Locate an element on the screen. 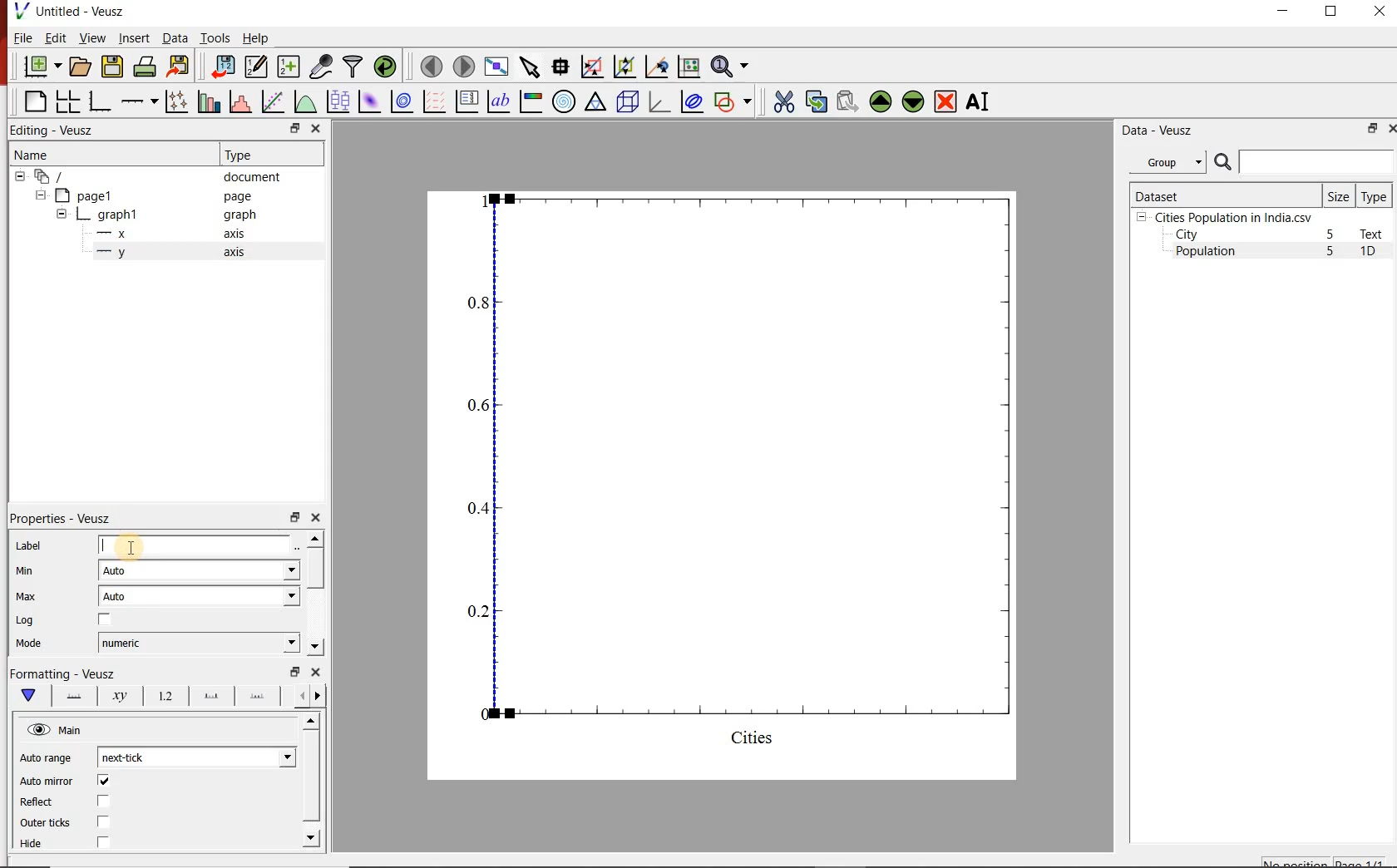 The height and width of the screenshot is (868, 1397). MINIMIZE is located at coordinates (1284, 11).